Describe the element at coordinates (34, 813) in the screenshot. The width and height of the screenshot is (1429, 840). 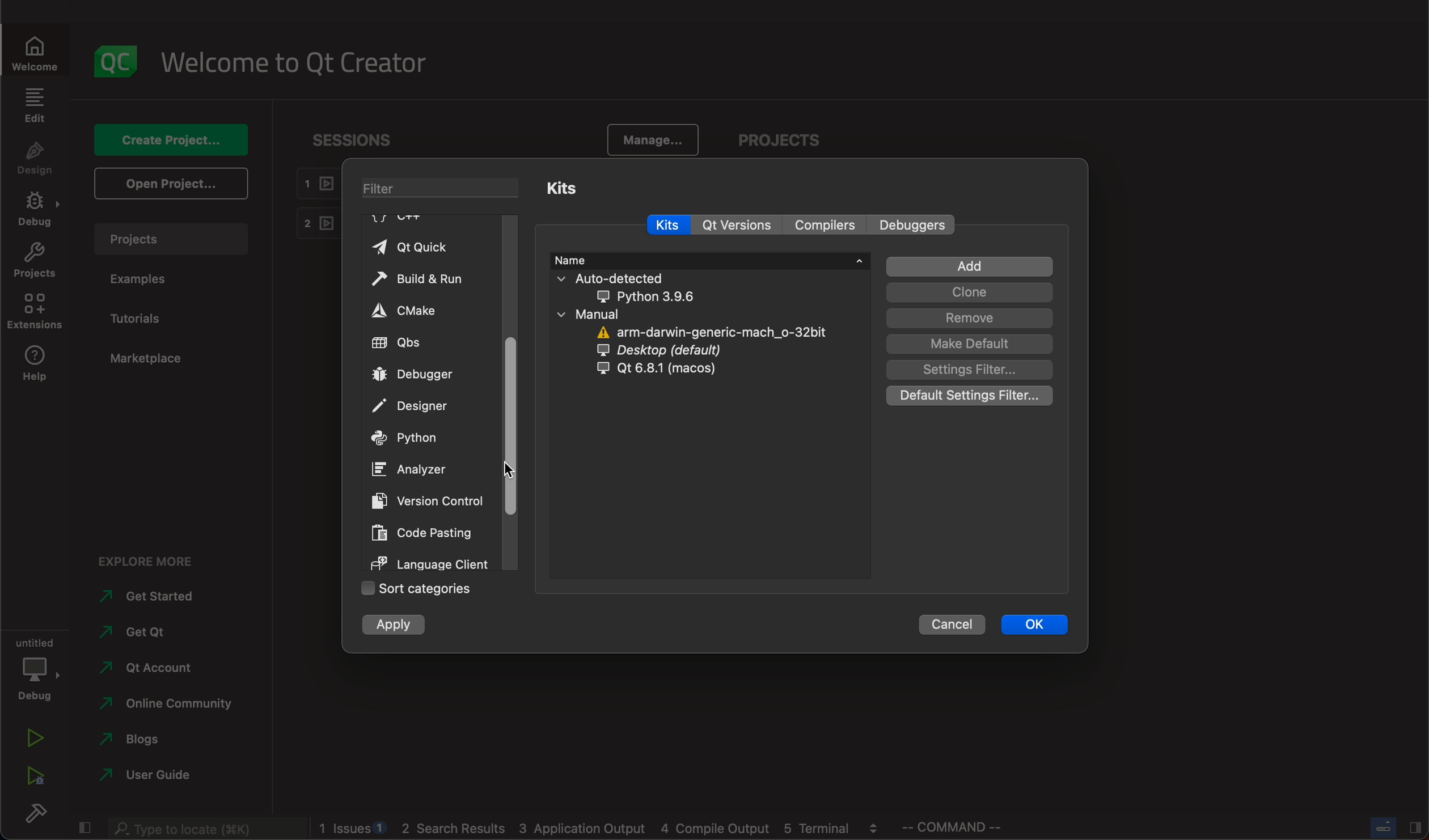
I see `build` at that location.